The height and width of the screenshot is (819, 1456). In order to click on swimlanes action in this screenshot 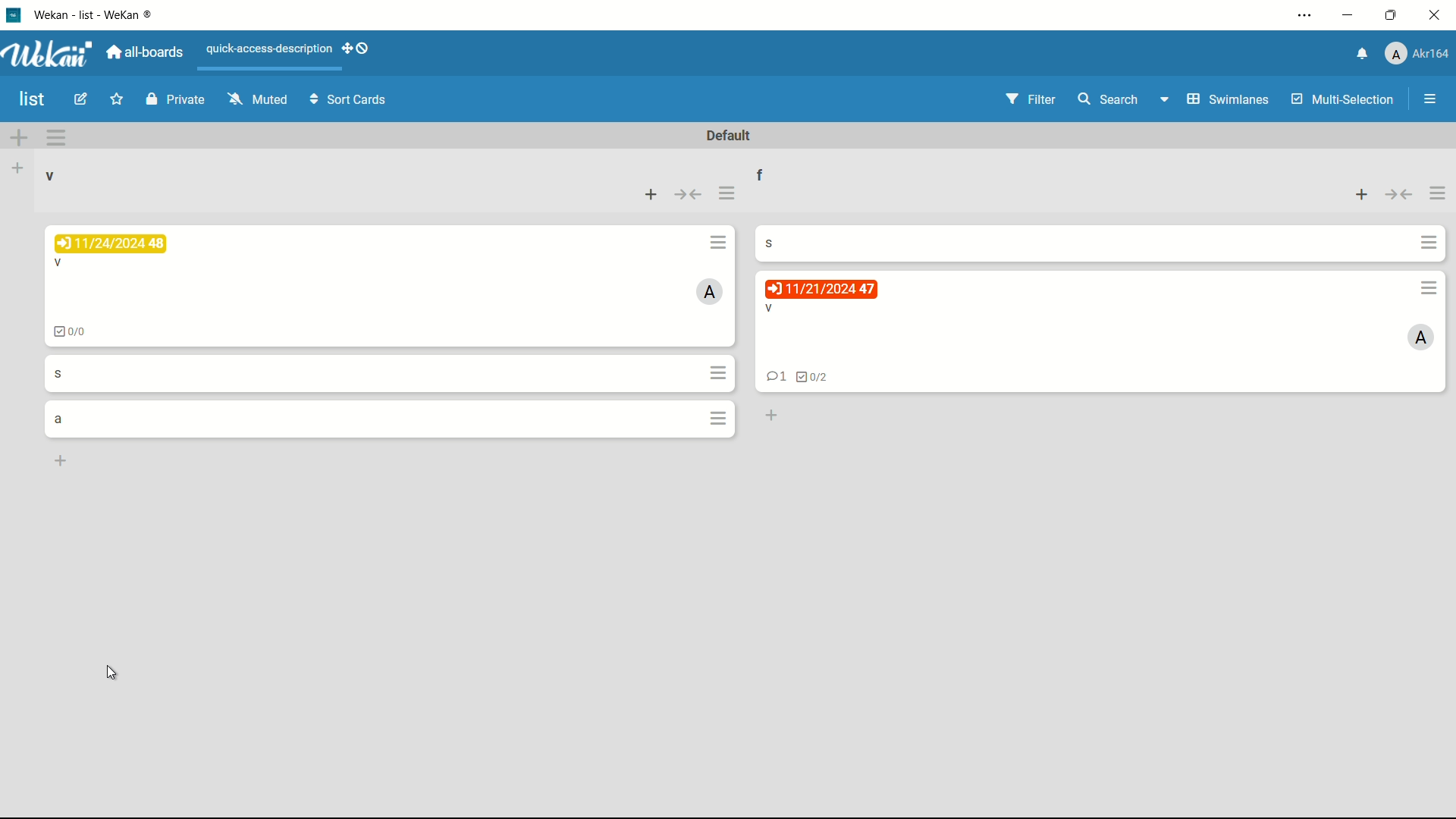, I will do `click(56, 137)`.